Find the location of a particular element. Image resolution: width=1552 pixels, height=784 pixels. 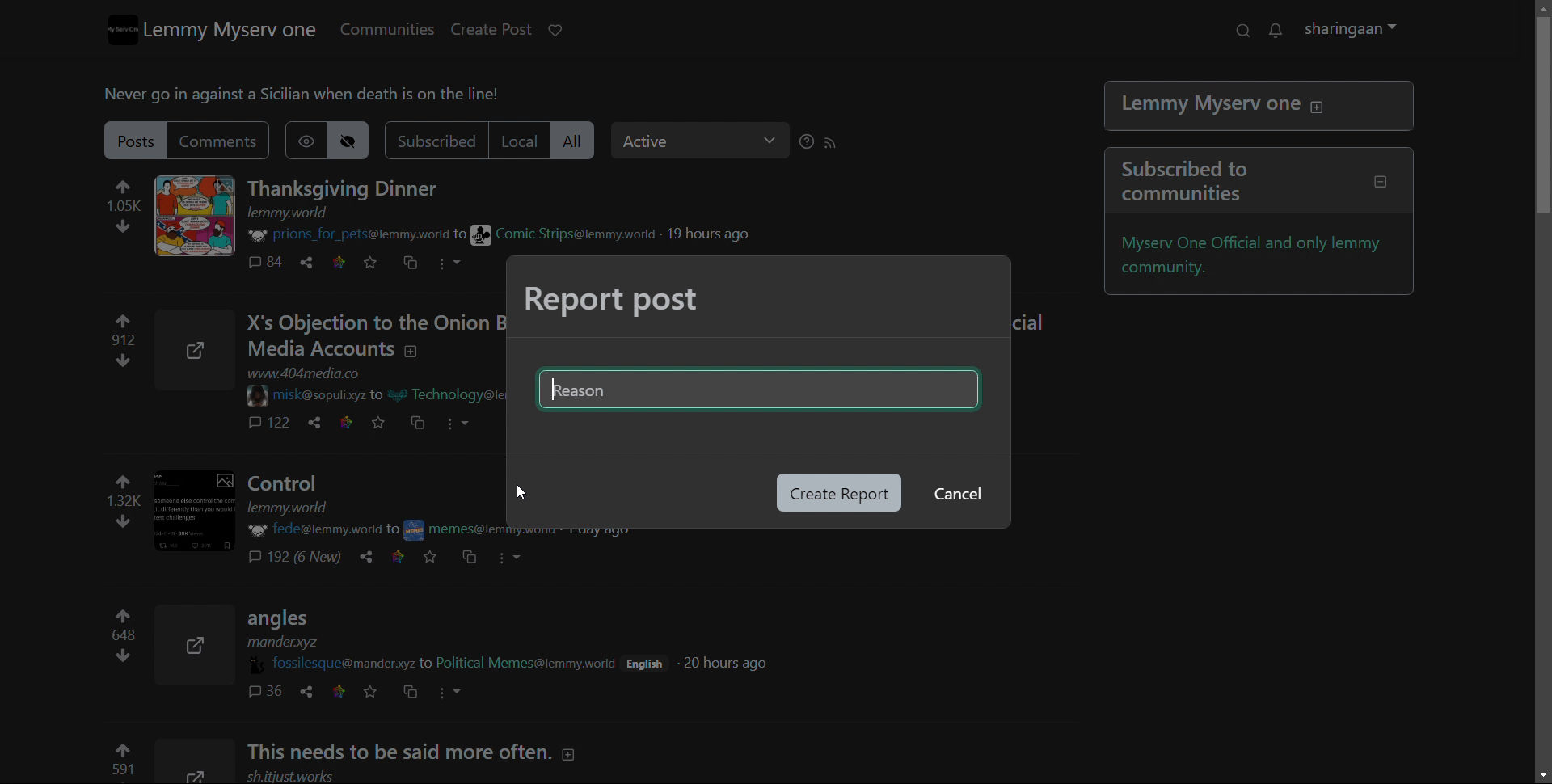

url is located at coordinates (299, 776).